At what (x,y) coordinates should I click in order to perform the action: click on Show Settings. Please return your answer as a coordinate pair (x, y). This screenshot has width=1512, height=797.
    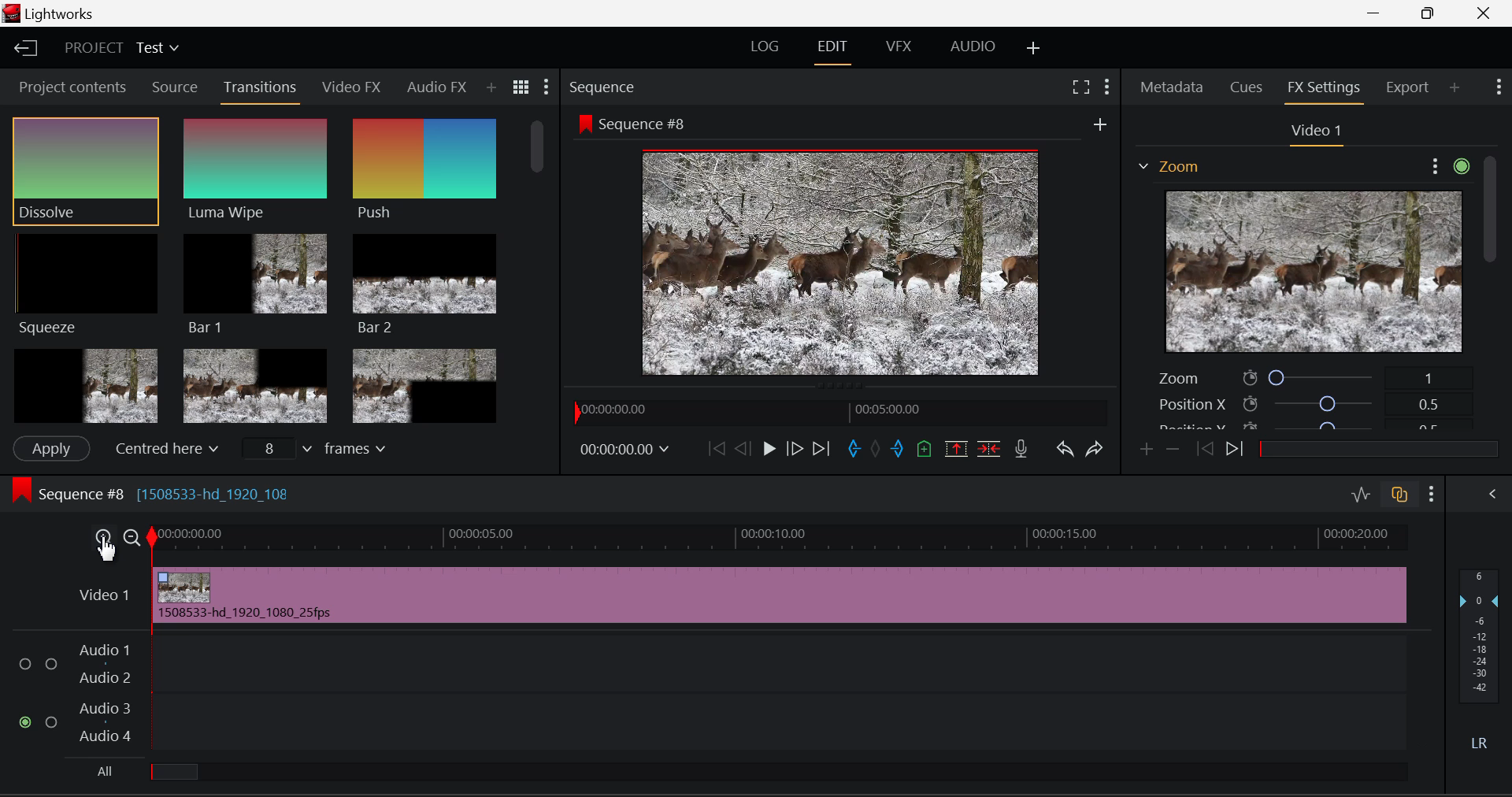
    Looking at the image, I should click on (1431, 493).